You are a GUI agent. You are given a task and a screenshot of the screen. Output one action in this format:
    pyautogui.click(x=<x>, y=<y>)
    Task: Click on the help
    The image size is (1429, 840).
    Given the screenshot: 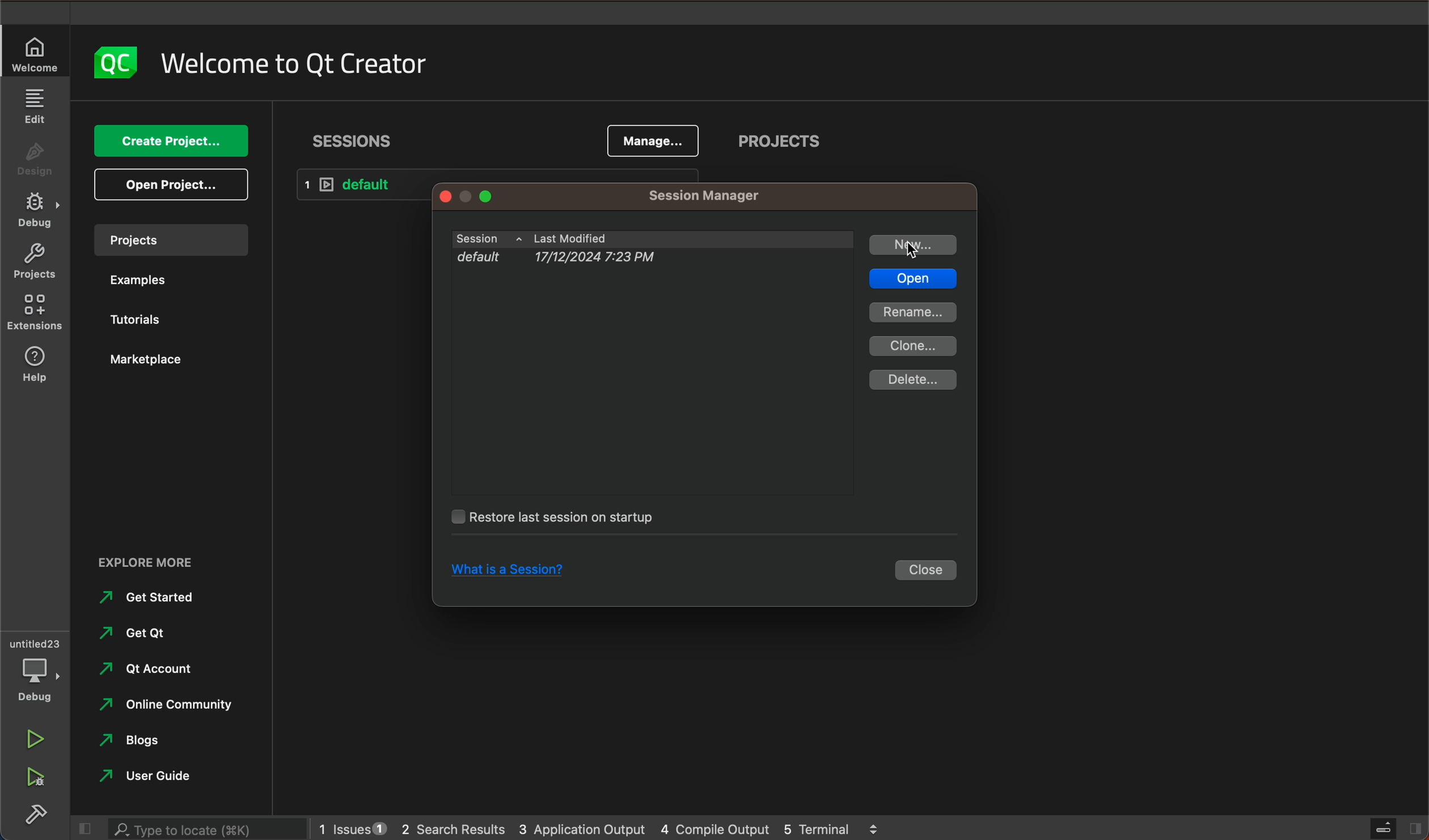 What is the action you would take?
    pyautogui.click(x=35, y=366)
    